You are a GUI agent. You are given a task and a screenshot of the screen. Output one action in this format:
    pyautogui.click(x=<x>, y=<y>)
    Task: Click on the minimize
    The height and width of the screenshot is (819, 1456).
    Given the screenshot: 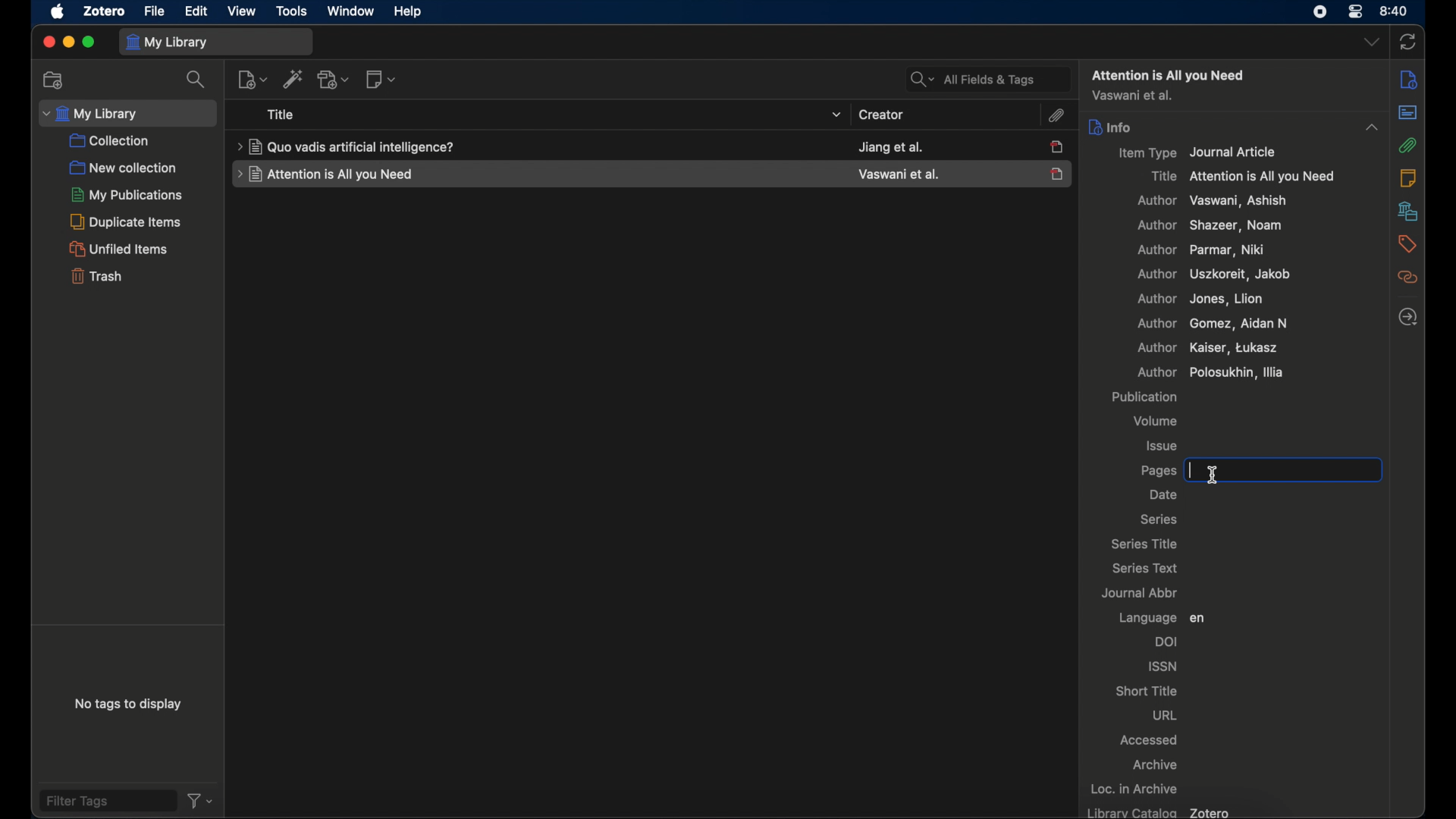 What is the action you would take?
    pyautogui.click(x=68, y=41)
    